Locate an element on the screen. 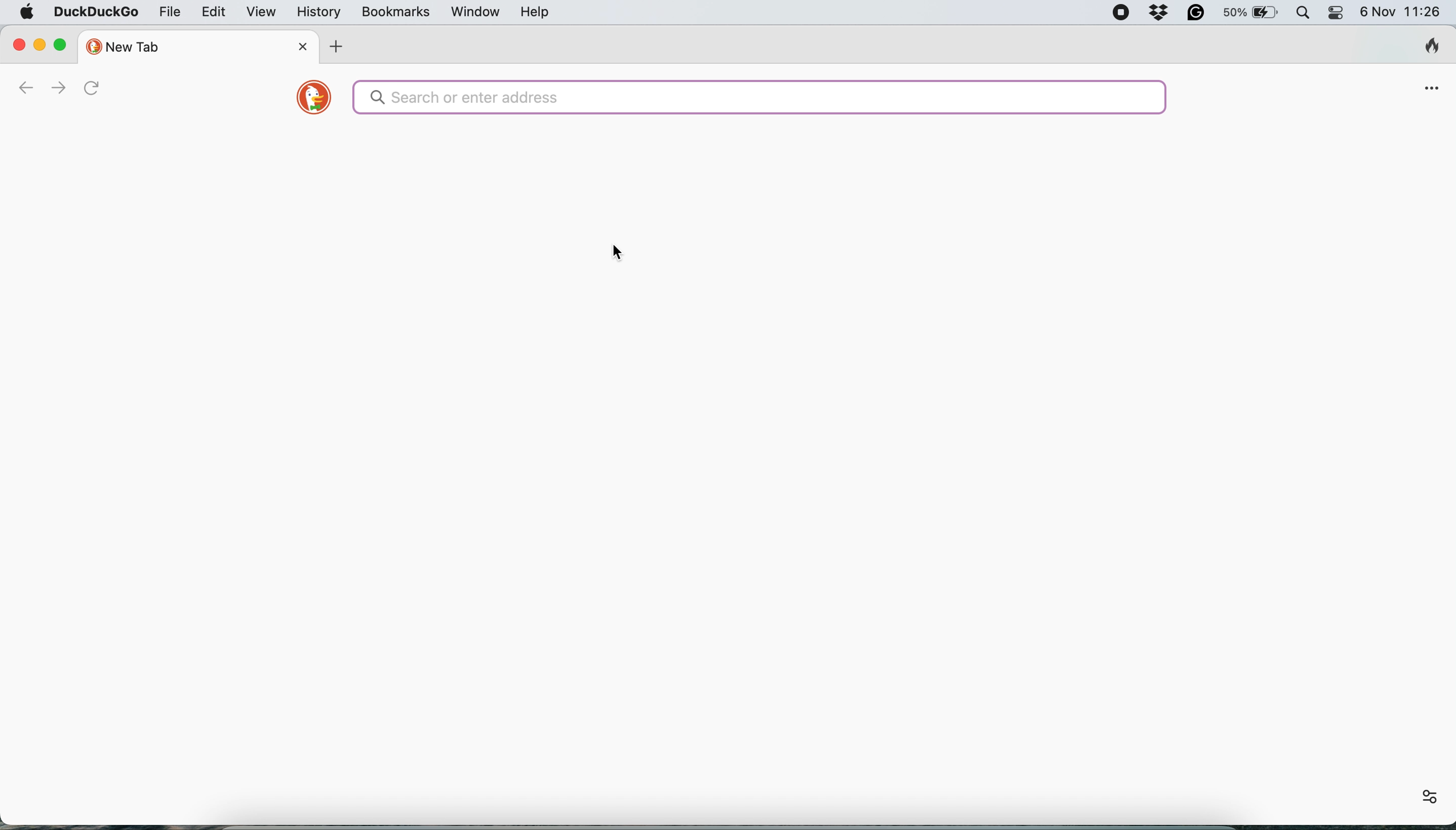 This screenshot has width=1456, height=830. search bar is located at coordinates (769, 96).